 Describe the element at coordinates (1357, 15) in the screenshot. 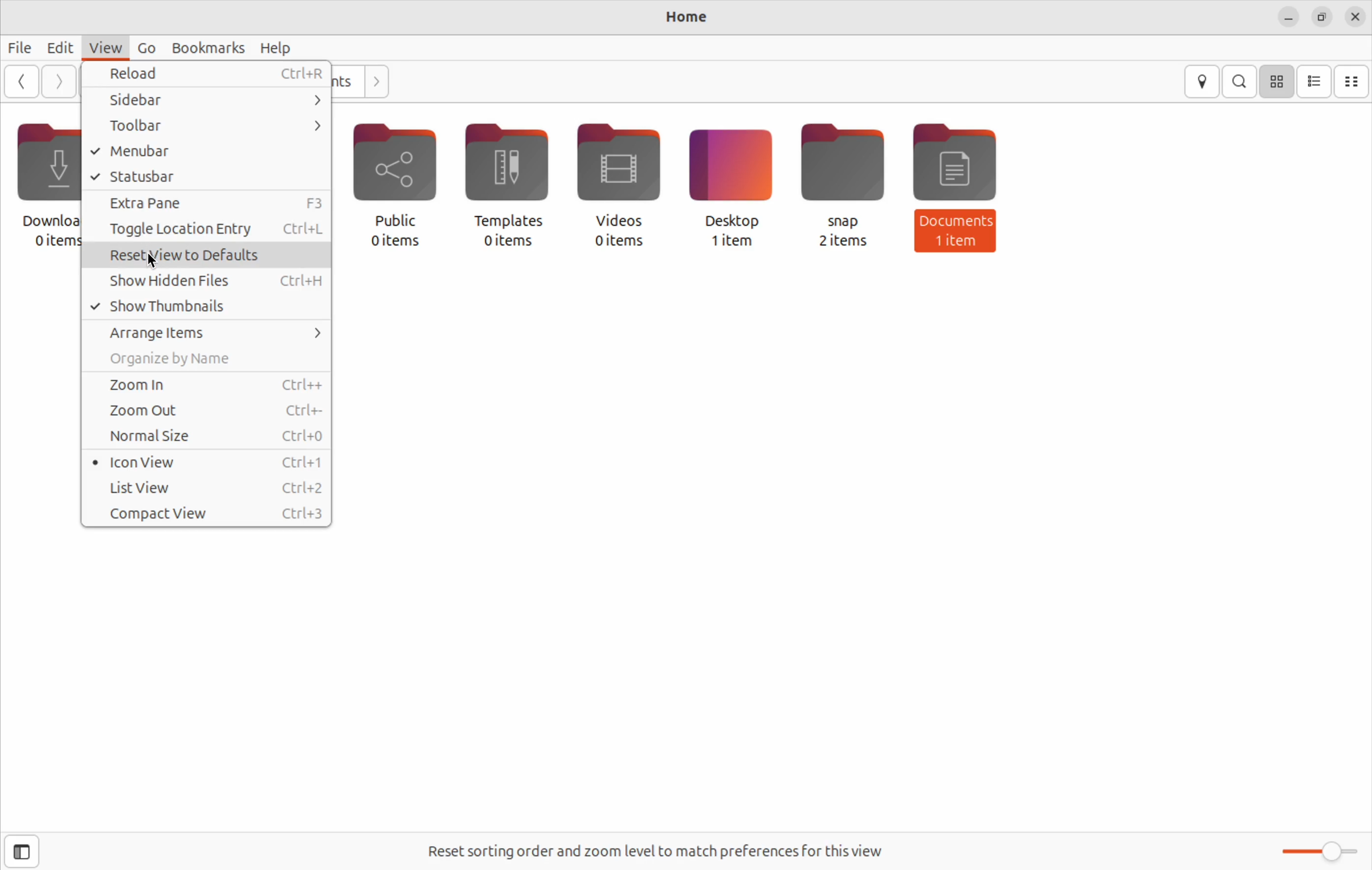

I see `close` at that location.